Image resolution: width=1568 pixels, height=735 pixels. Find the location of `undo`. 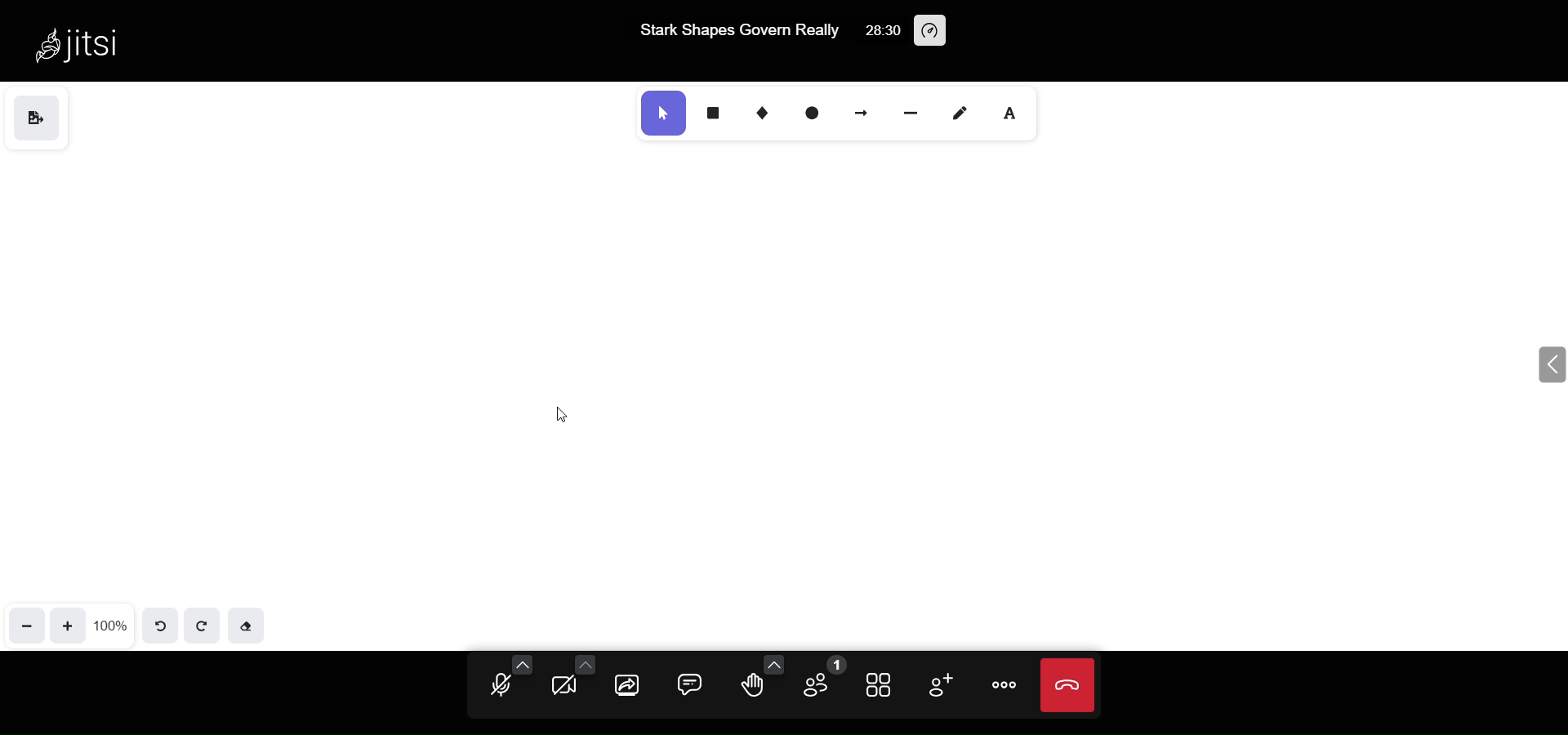

undo is located at coordinates (162, 625).